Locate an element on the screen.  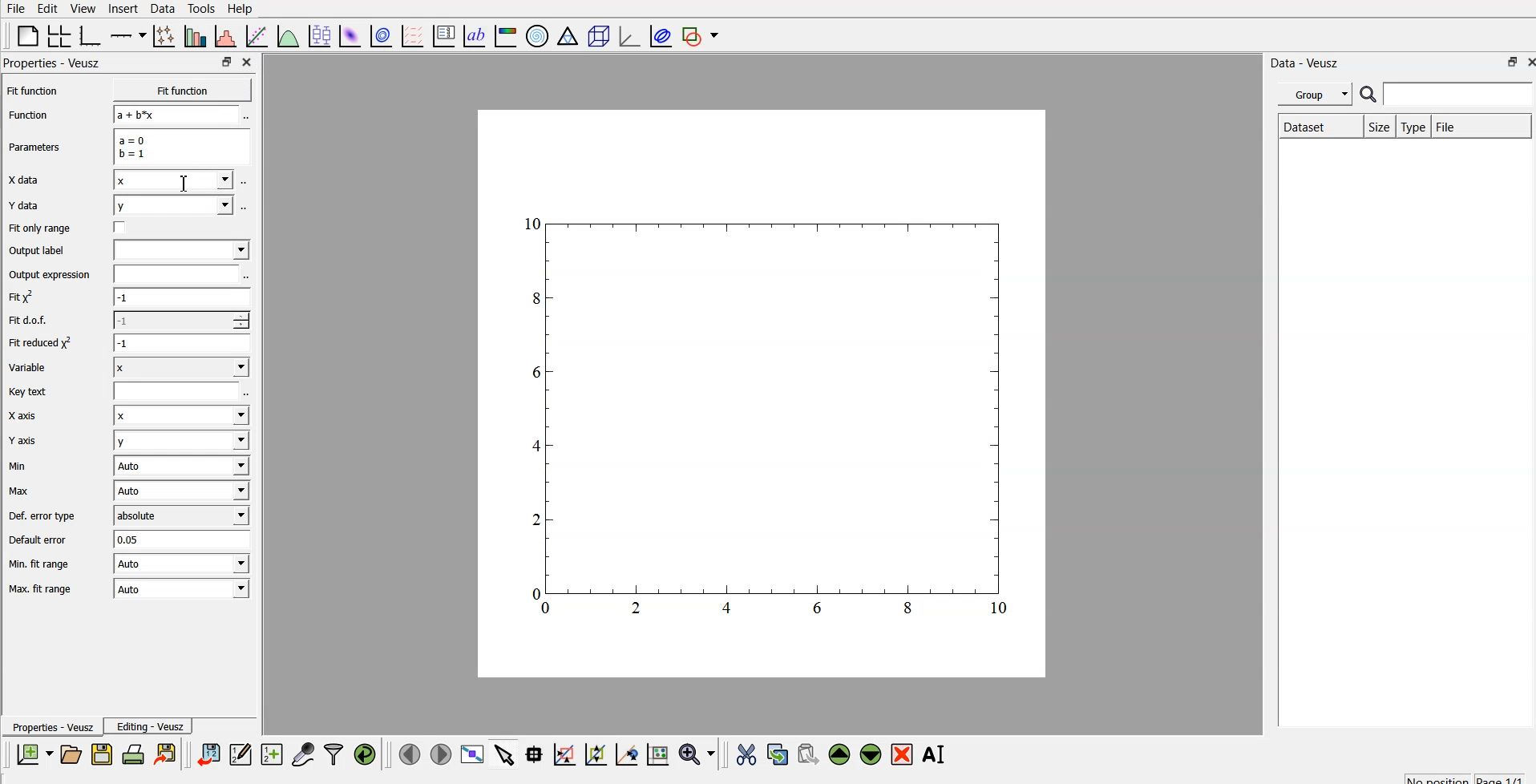
Help is located at coordinates (241, 7).